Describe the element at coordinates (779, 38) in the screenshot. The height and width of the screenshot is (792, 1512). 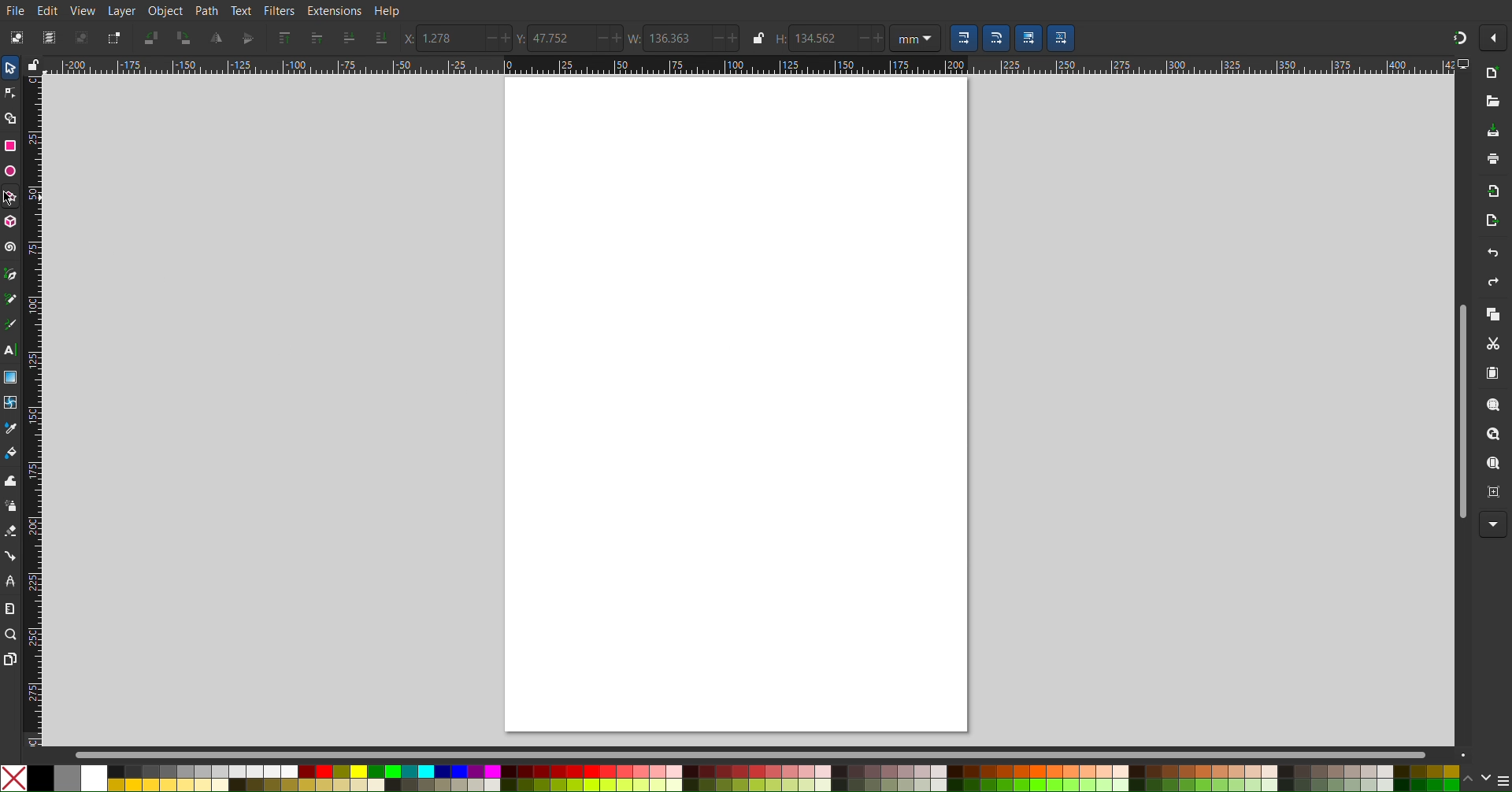
I see `Height` at that location.